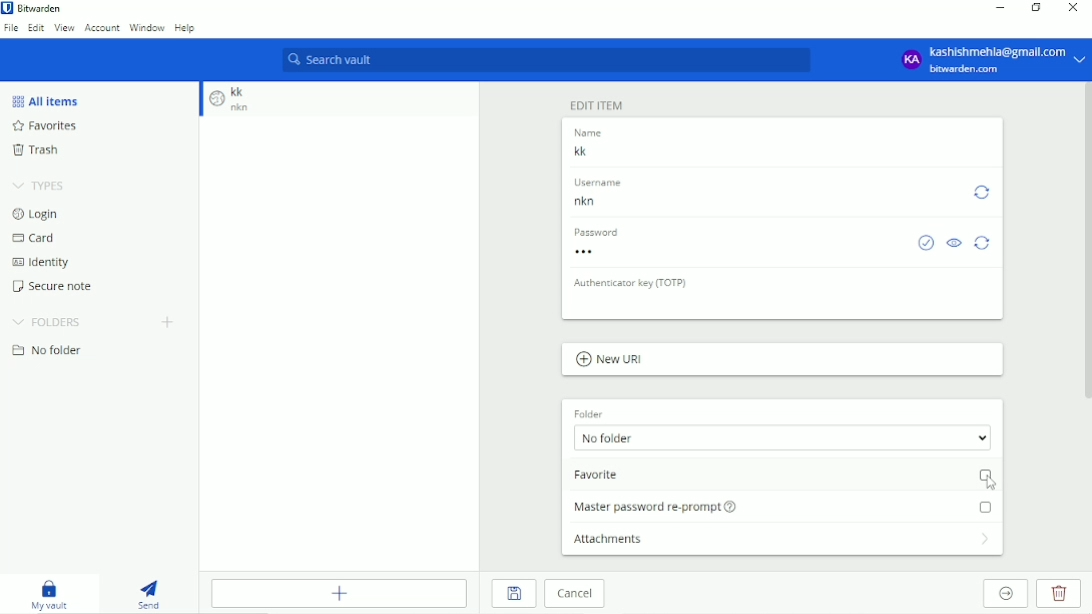 This screenshot has width=1092, height=614. Describe the element at coordinates (64, 28) in the screenshot. I see `View` at that location.